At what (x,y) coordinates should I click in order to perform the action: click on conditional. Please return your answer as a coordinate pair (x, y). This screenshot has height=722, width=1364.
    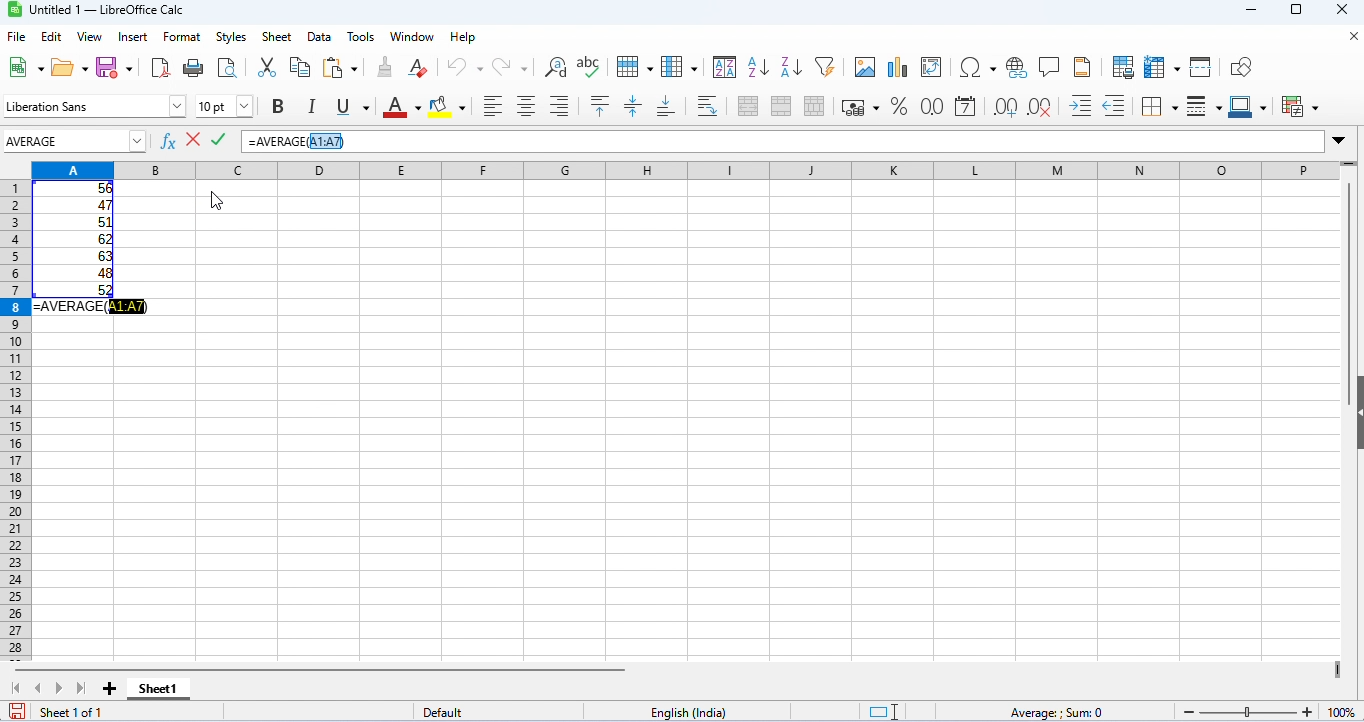
    Looking at the image, I should click on (1301, 106).